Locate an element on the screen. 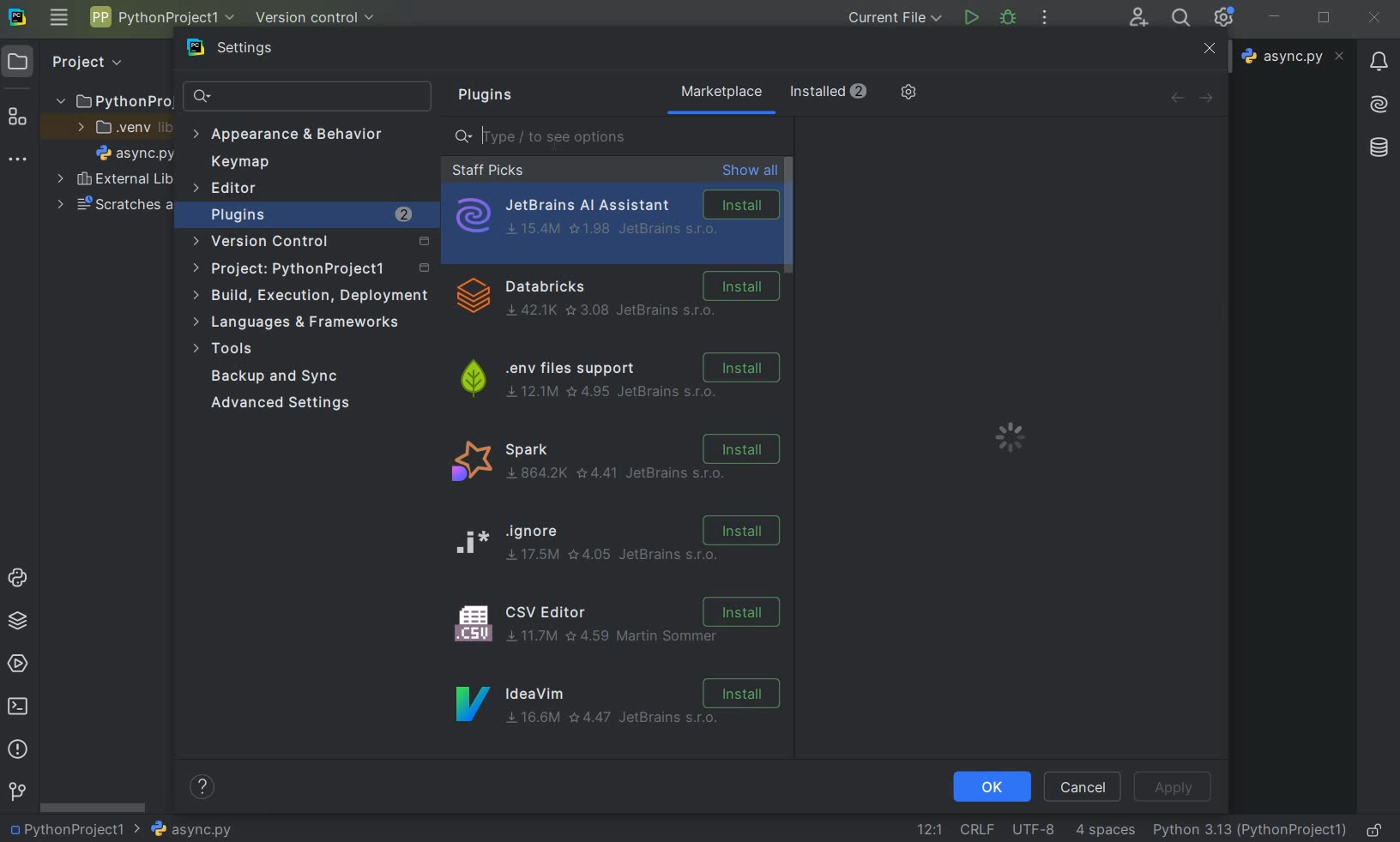 The height and width of the screenshot is (842, 1400). close is located at coordinates (1375, 19).